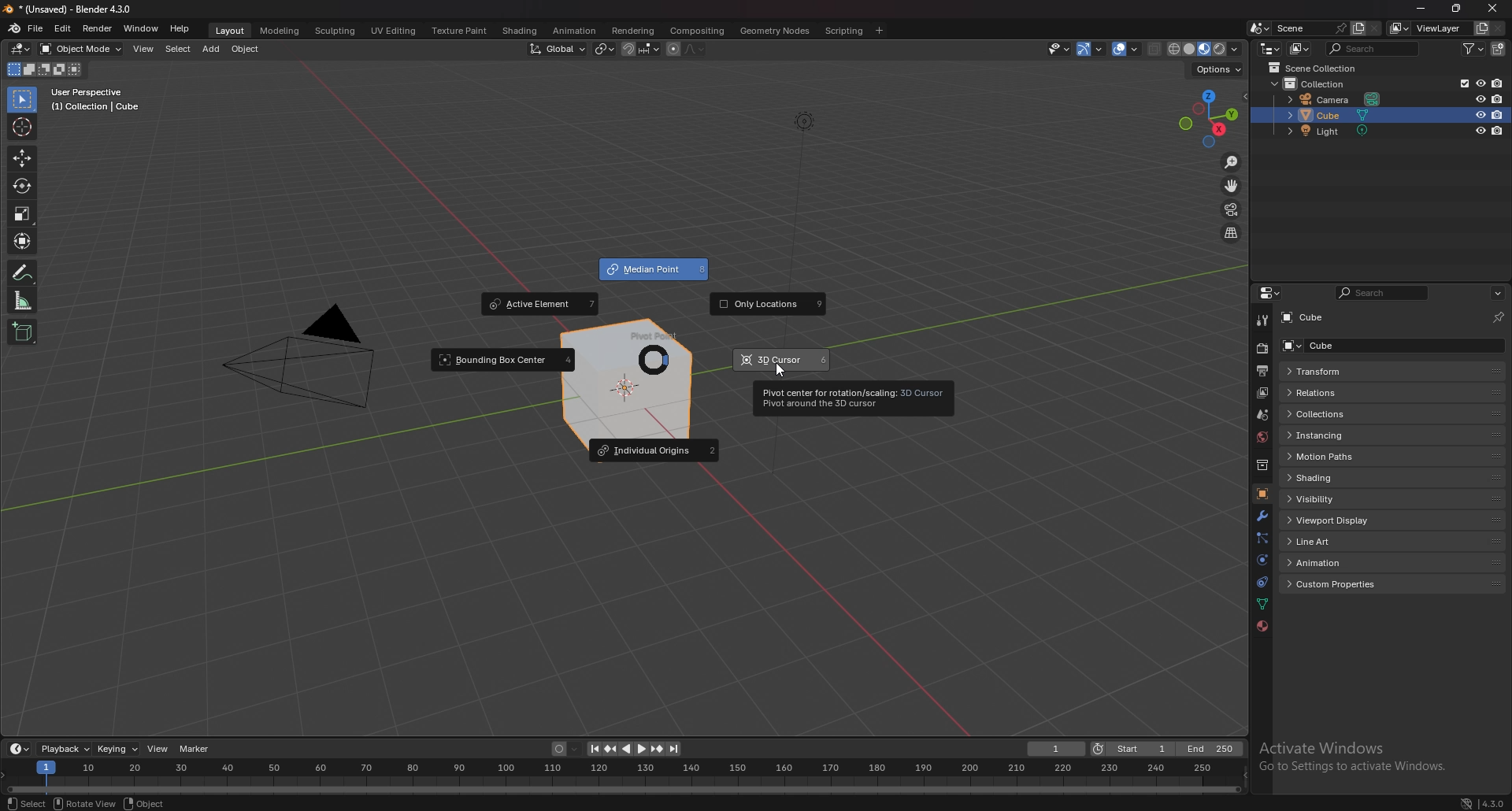 Image resolution: width=1512 pixels, height=811 pixels. I want to click on tool, so click(1260, 322).